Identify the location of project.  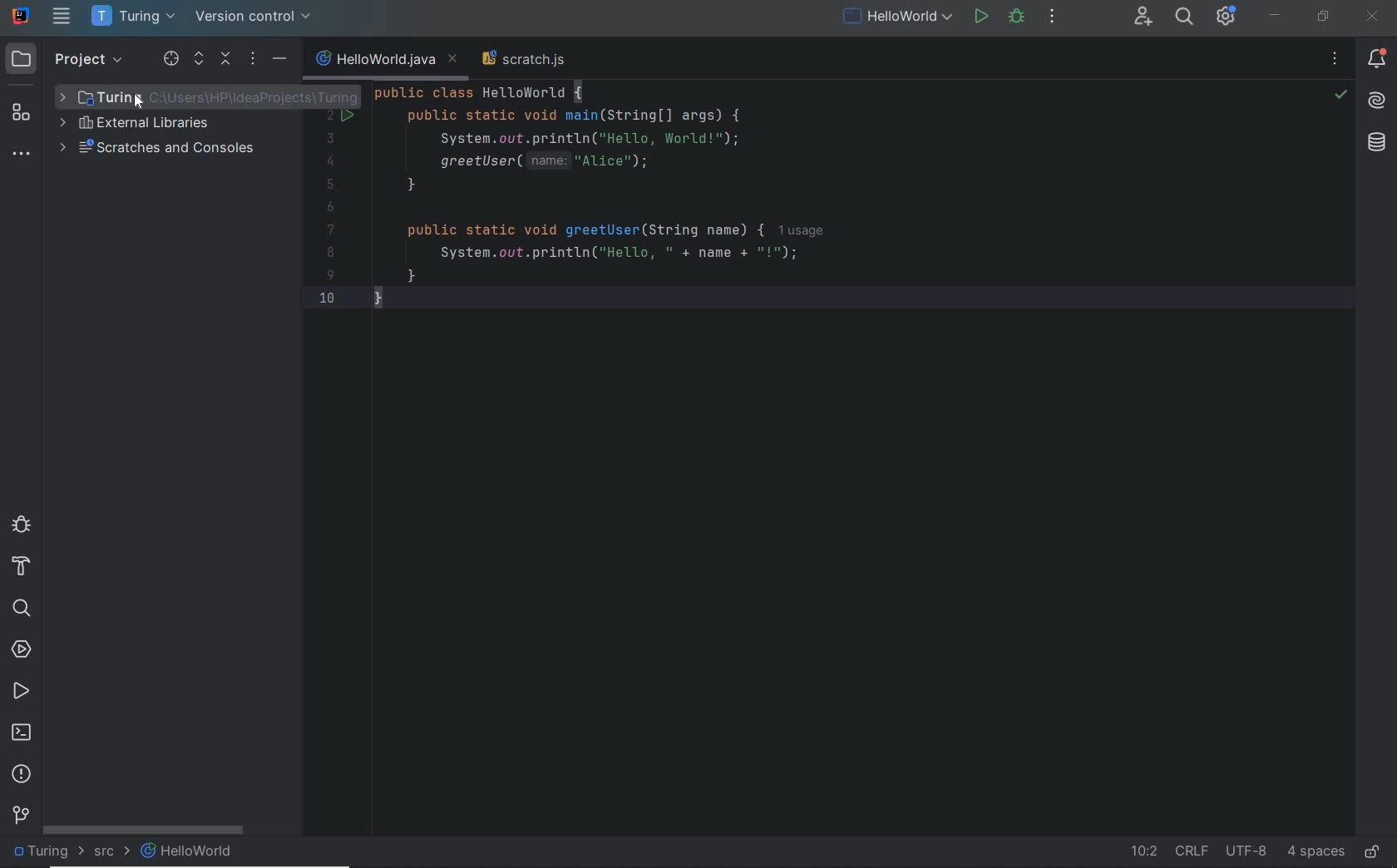
(67, 60).